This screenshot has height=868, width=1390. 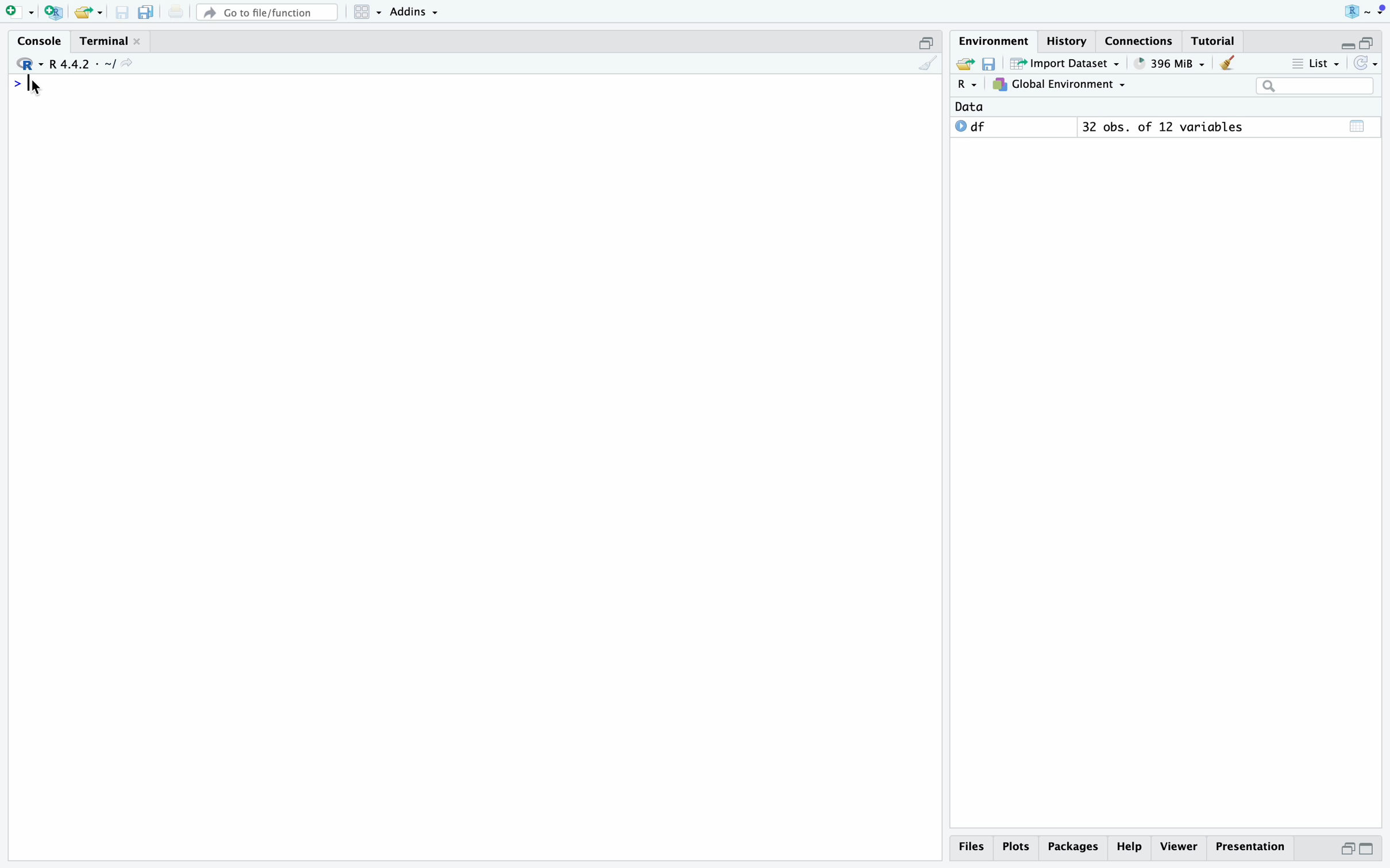 I want to click on terminal, so click(x=106, y=41).